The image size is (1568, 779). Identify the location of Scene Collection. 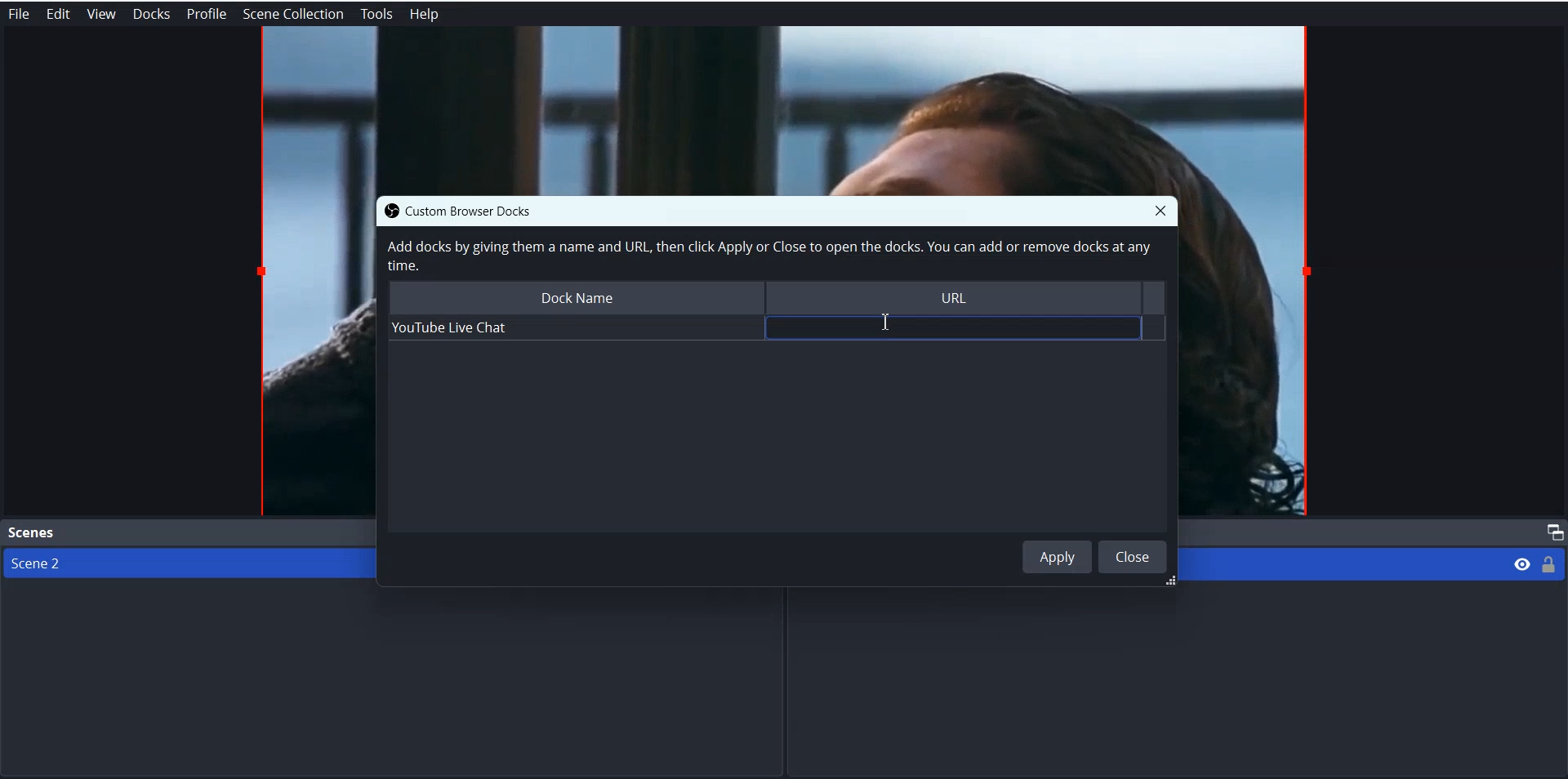
(294, 14).